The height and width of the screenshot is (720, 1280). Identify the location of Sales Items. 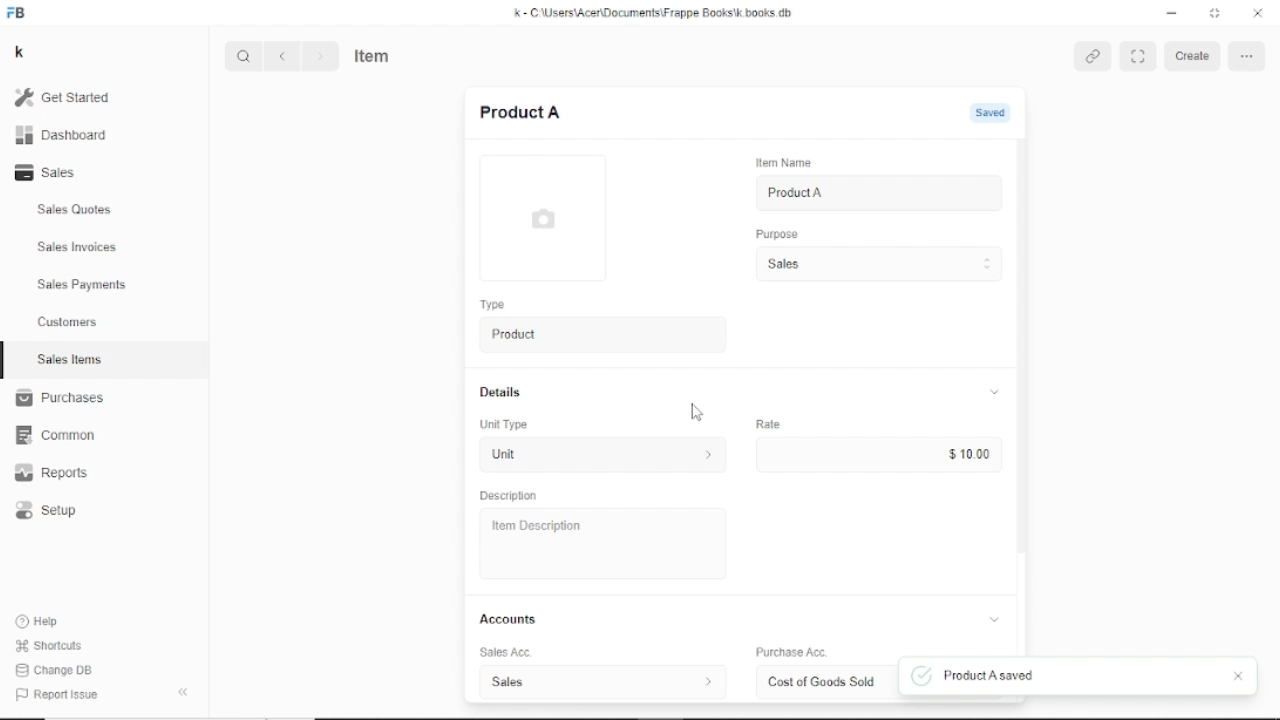
(70, 359).